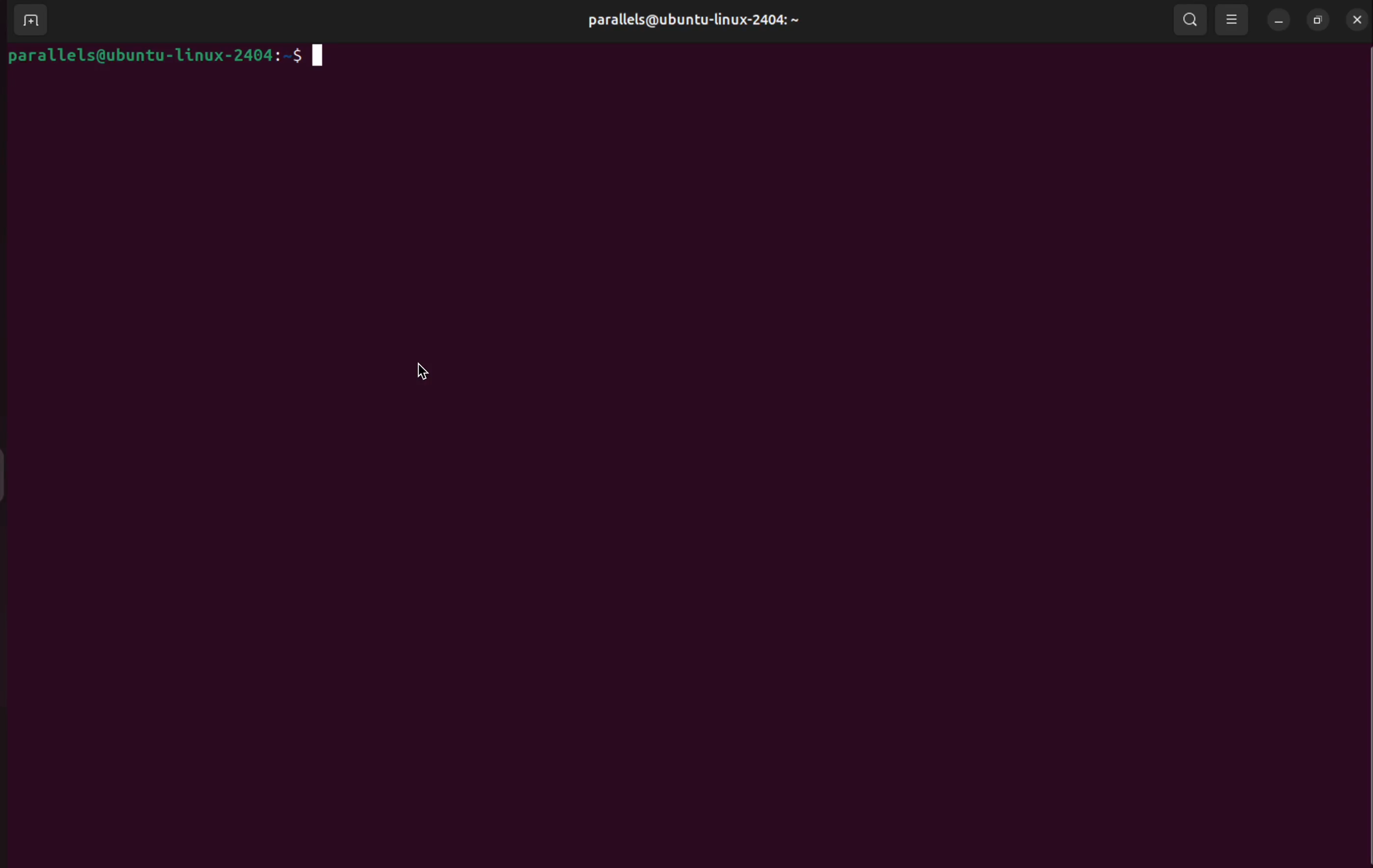 Image resolution: width=1373 pixels, height=868 pixels. I want to click on close, so click(1358, 19).